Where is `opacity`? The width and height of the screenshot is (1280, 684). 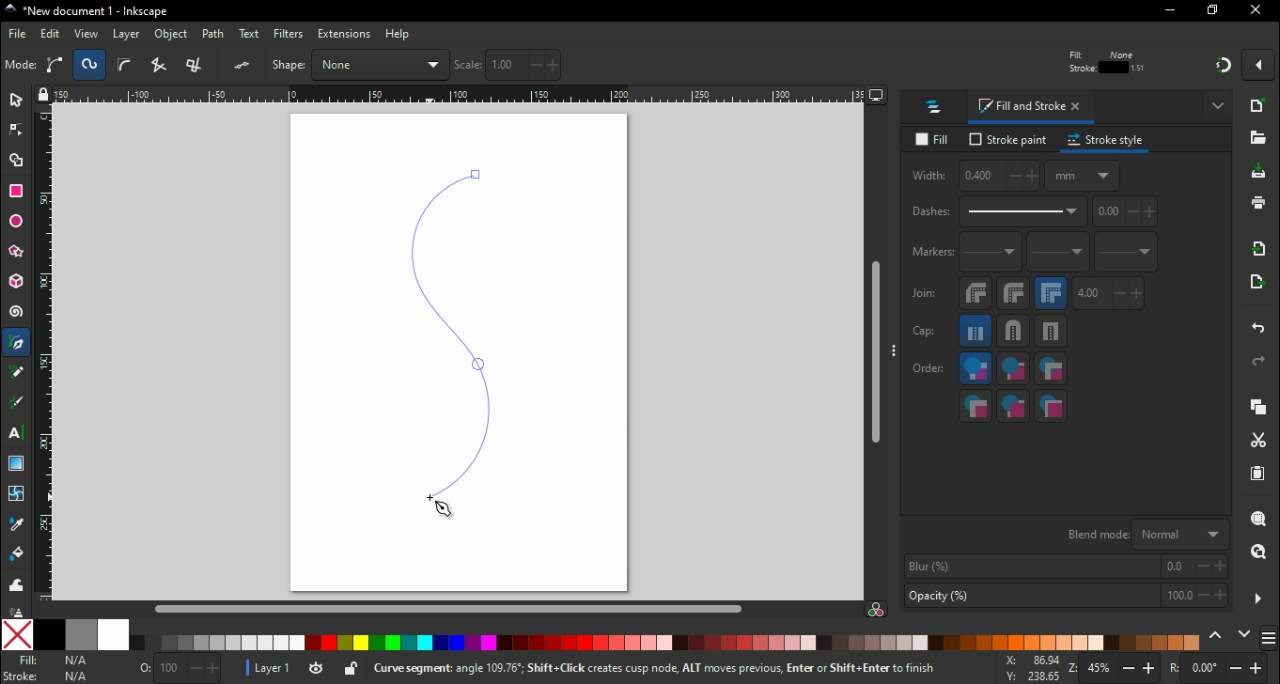 opacity is located at coordinates (179, 666).